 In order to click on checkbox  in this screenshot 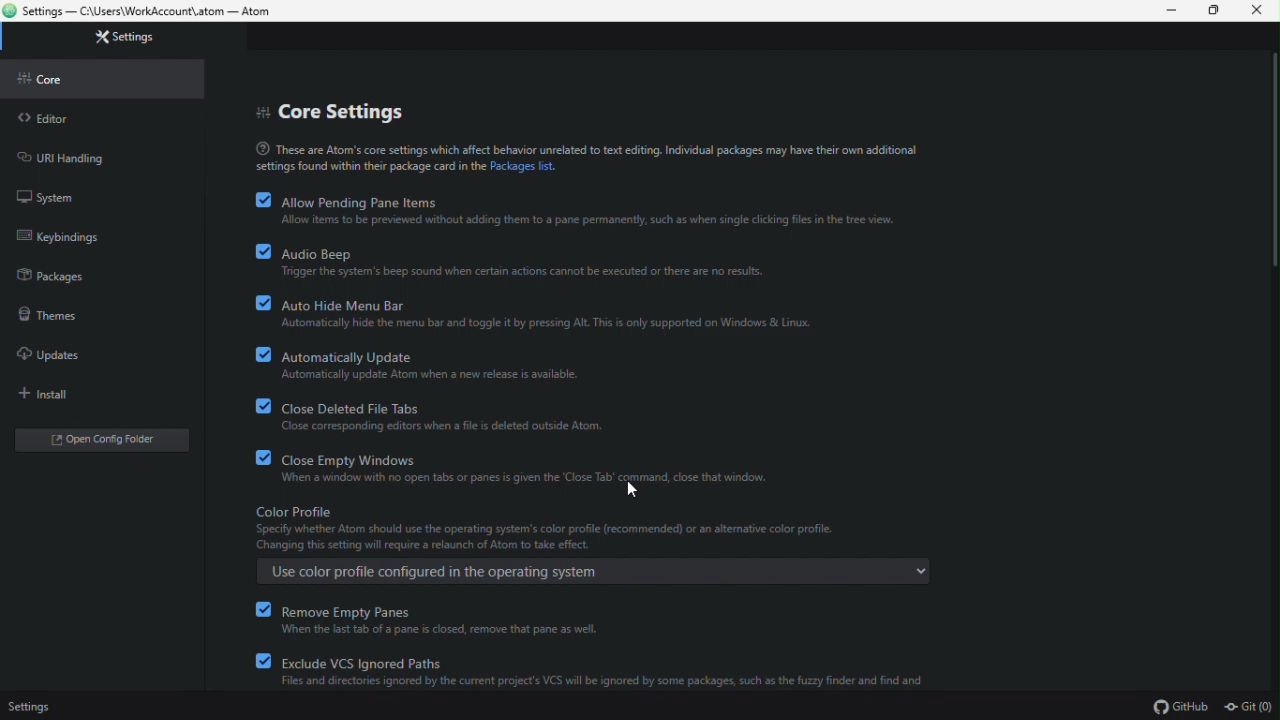, I will do `click(262, 659)`.